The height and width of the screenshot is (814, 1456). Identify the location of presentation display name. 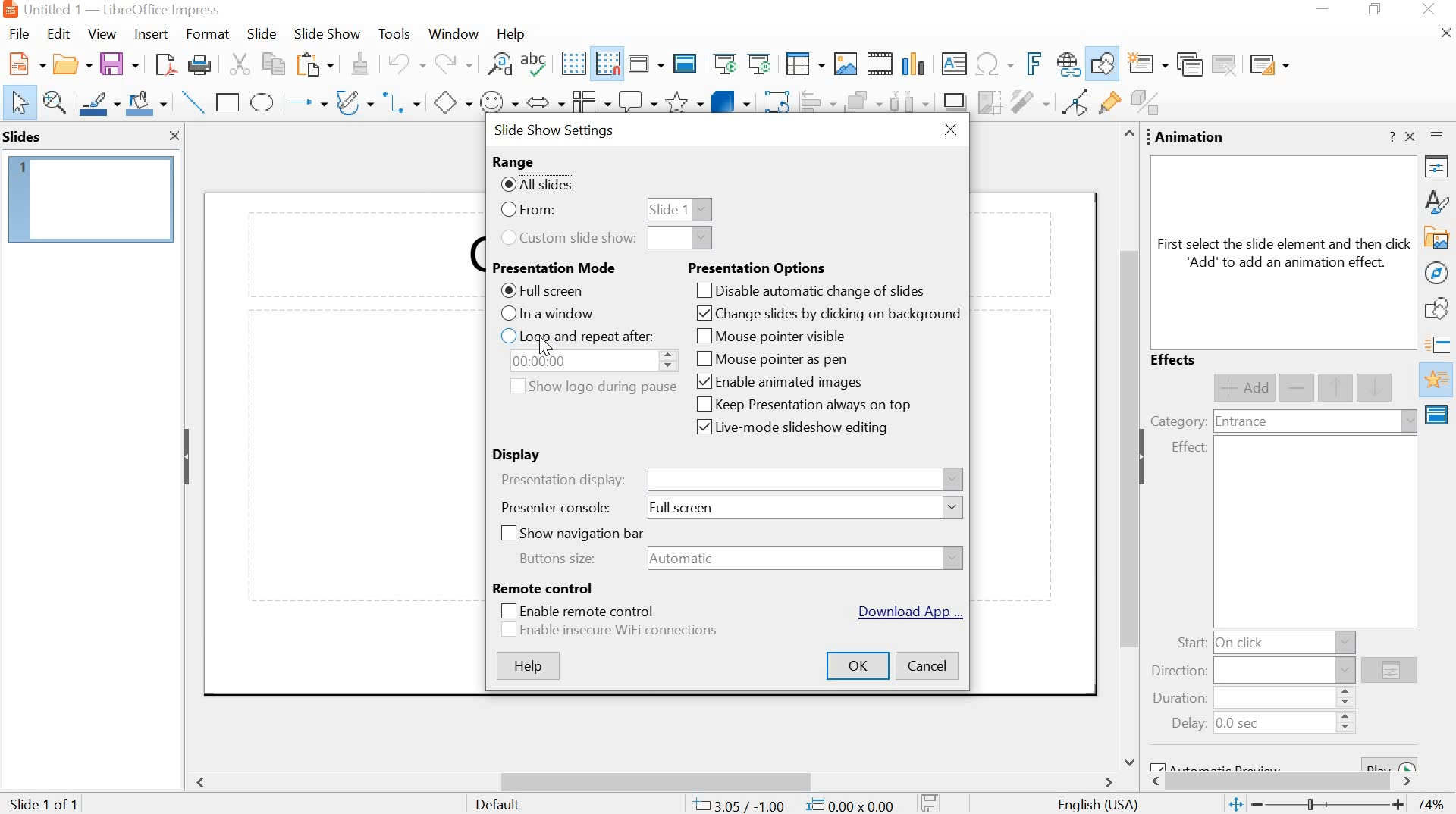
(805, 481).